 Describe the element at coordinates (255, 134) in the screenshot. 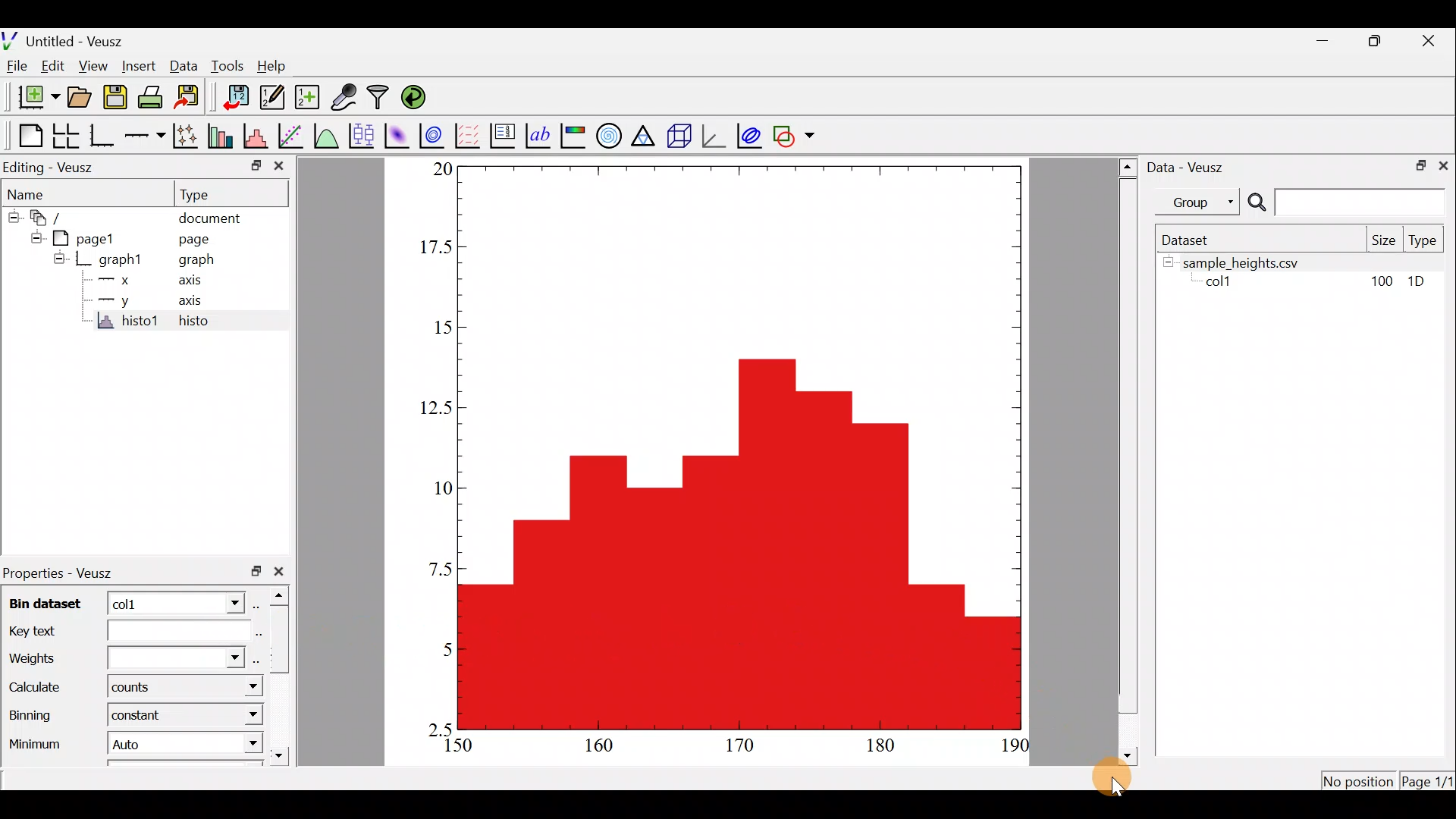

I see `histogram of a dataset` at that location.